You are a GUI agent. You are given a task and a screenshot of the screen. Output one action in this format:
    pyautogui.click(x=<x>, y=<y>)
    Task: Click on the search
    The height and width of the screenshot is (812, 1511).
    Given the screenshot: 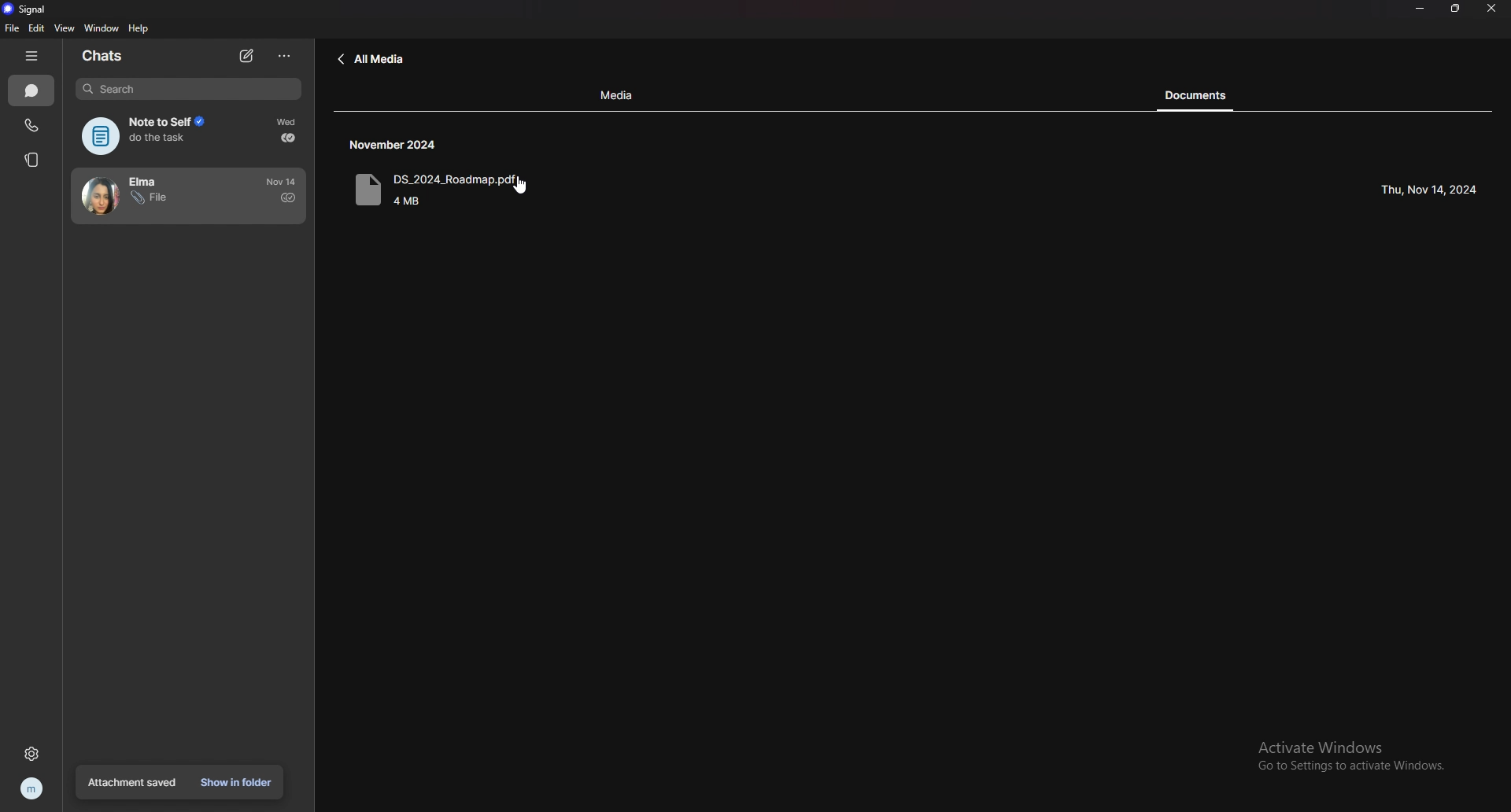 What is the action you would take?
    pyautogui.click(x=189, y=89)
    